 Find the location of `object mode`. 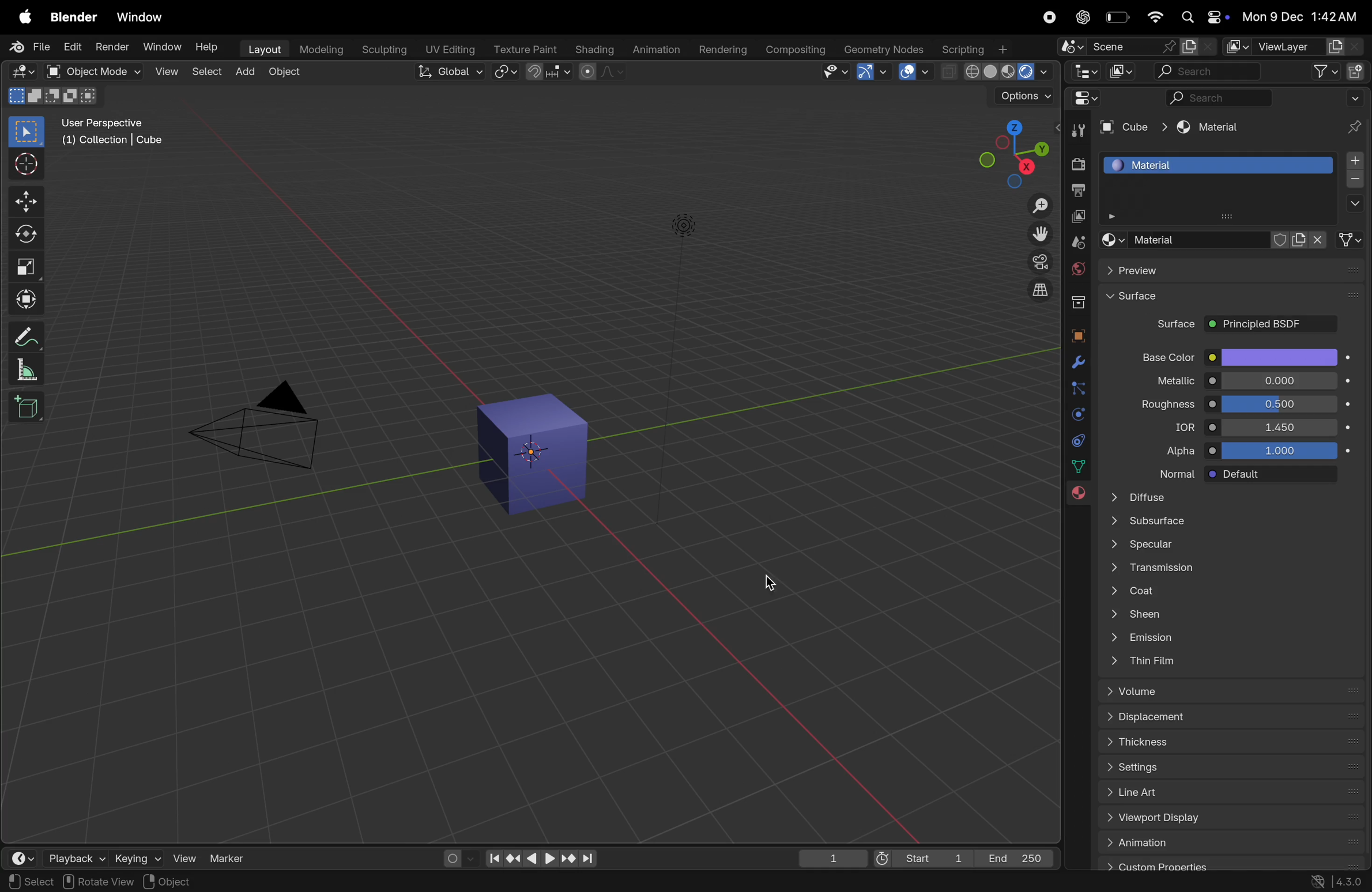

object mode is located at coordinates (287, 74).